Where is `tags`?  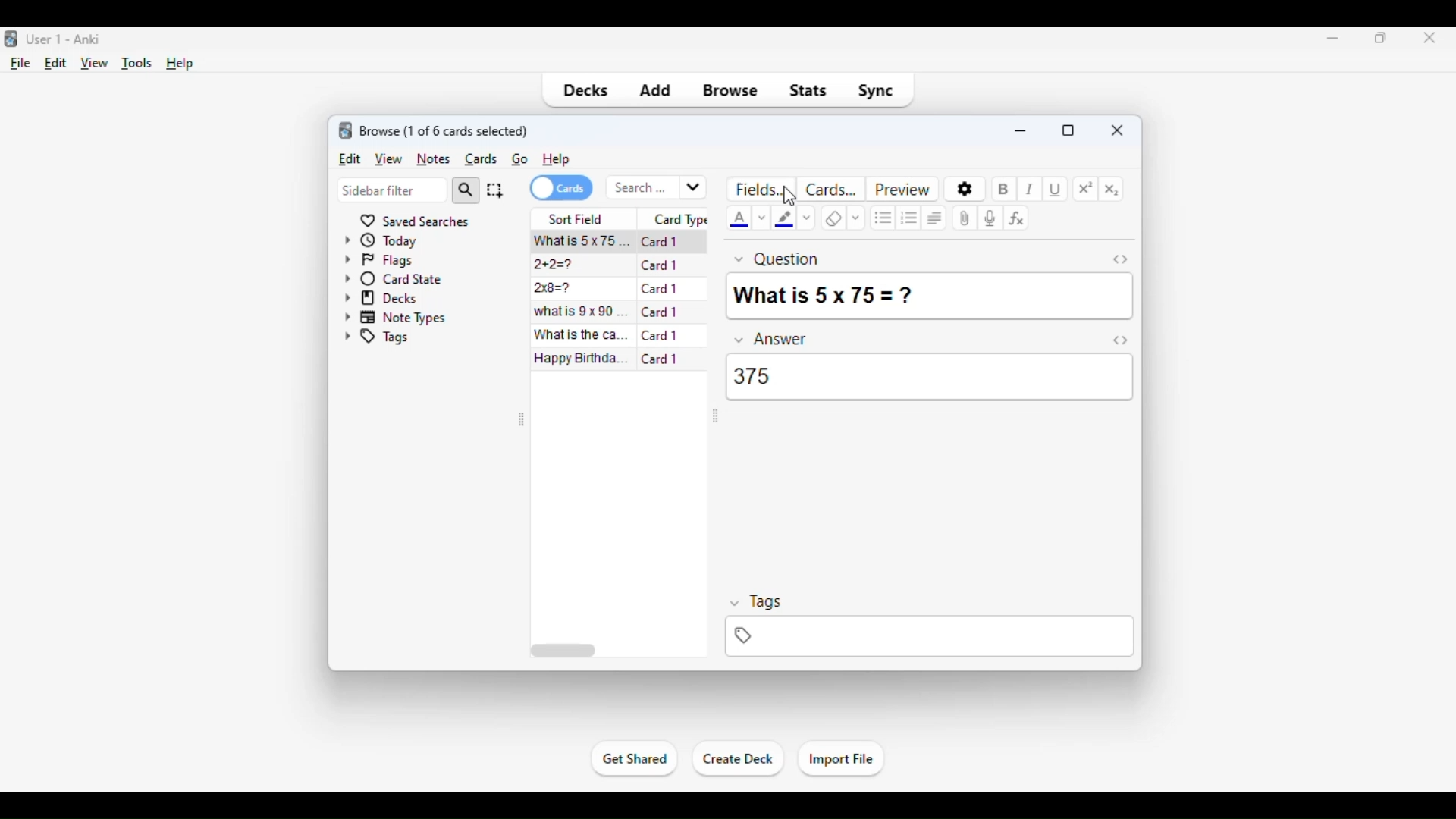
tags is located at coordinates (376, 339).